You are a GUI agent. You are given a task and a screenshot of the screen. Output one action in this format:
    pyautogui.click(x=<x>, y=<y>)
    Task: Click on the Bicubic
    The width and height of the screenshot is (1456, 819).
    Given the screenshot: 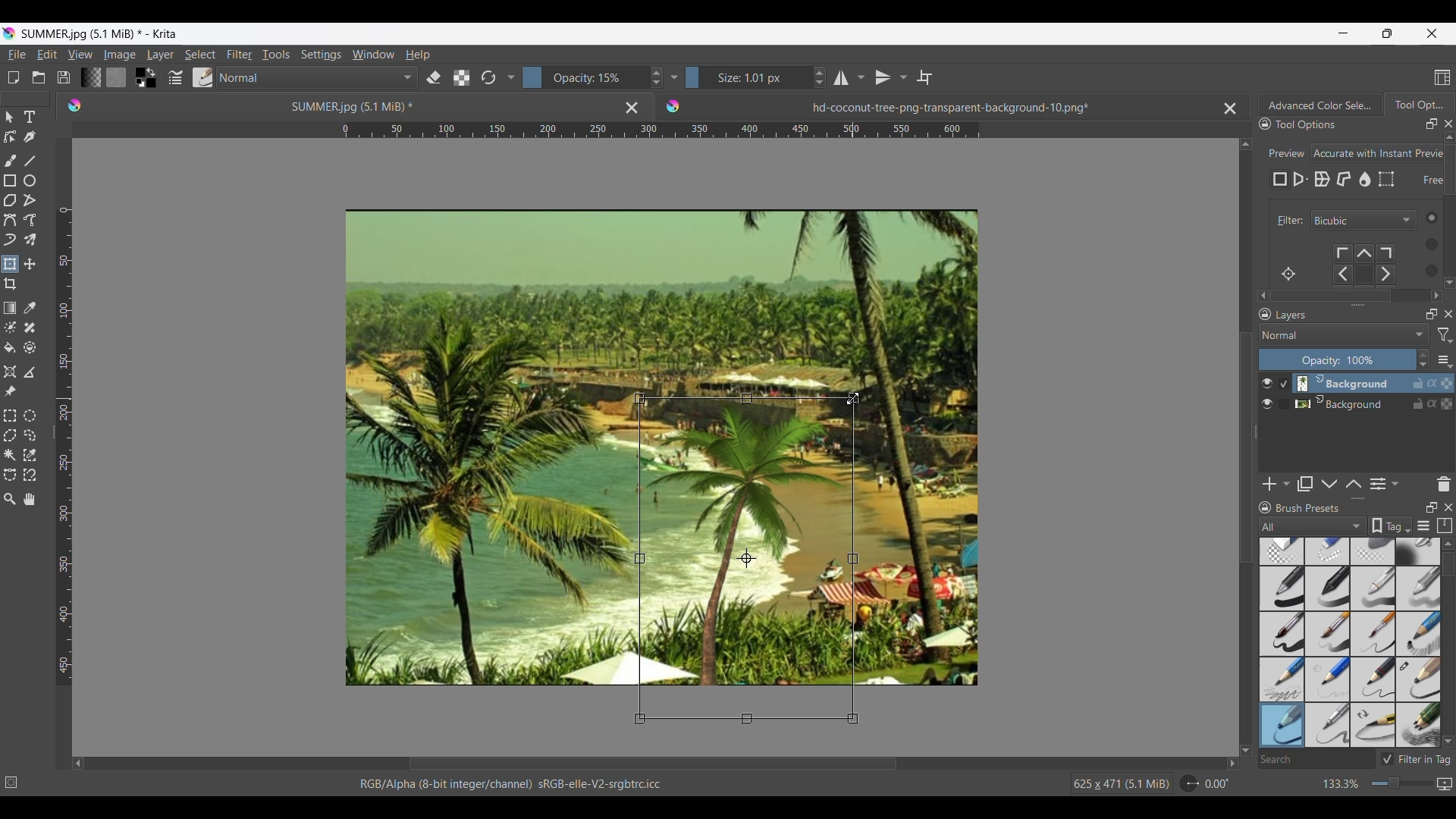 What is the action you would take?
    pyautogui.click(x=1363, y=221)
    